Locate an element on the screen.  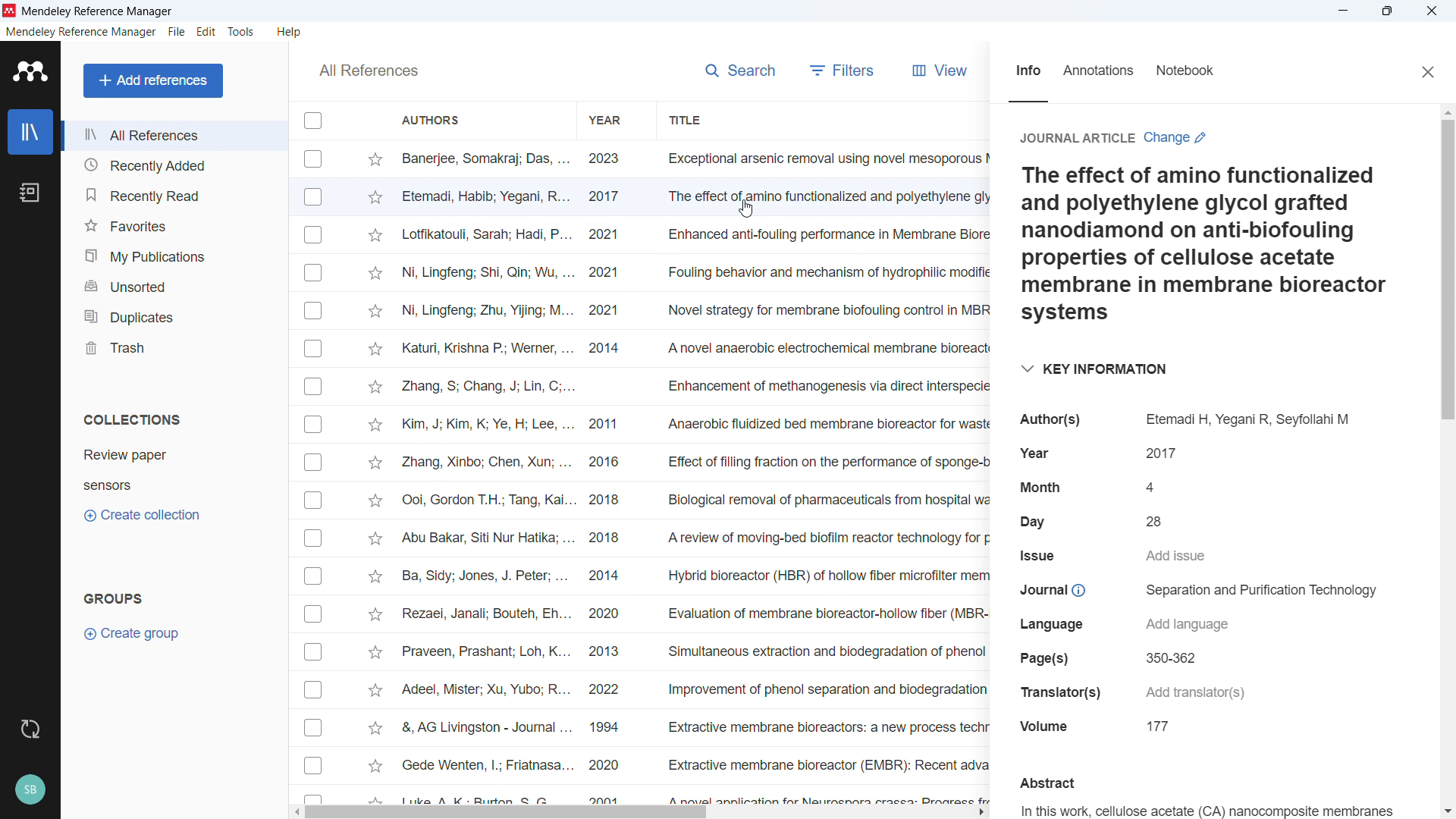
Select individual entries  is located at coordinates (315, 473).